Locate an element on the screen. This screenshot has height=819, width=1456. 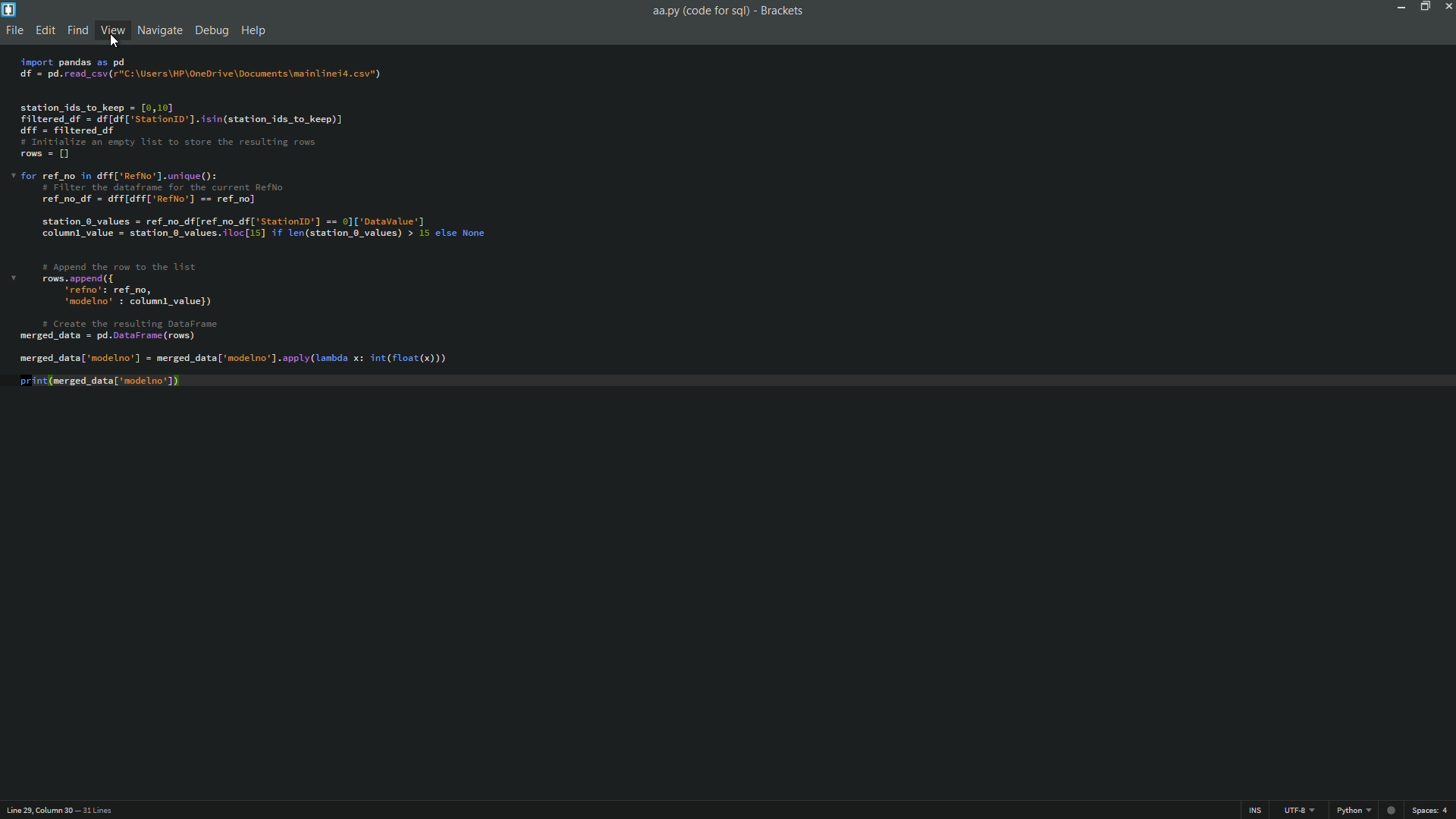
file name is located at coordinates (701, 12).